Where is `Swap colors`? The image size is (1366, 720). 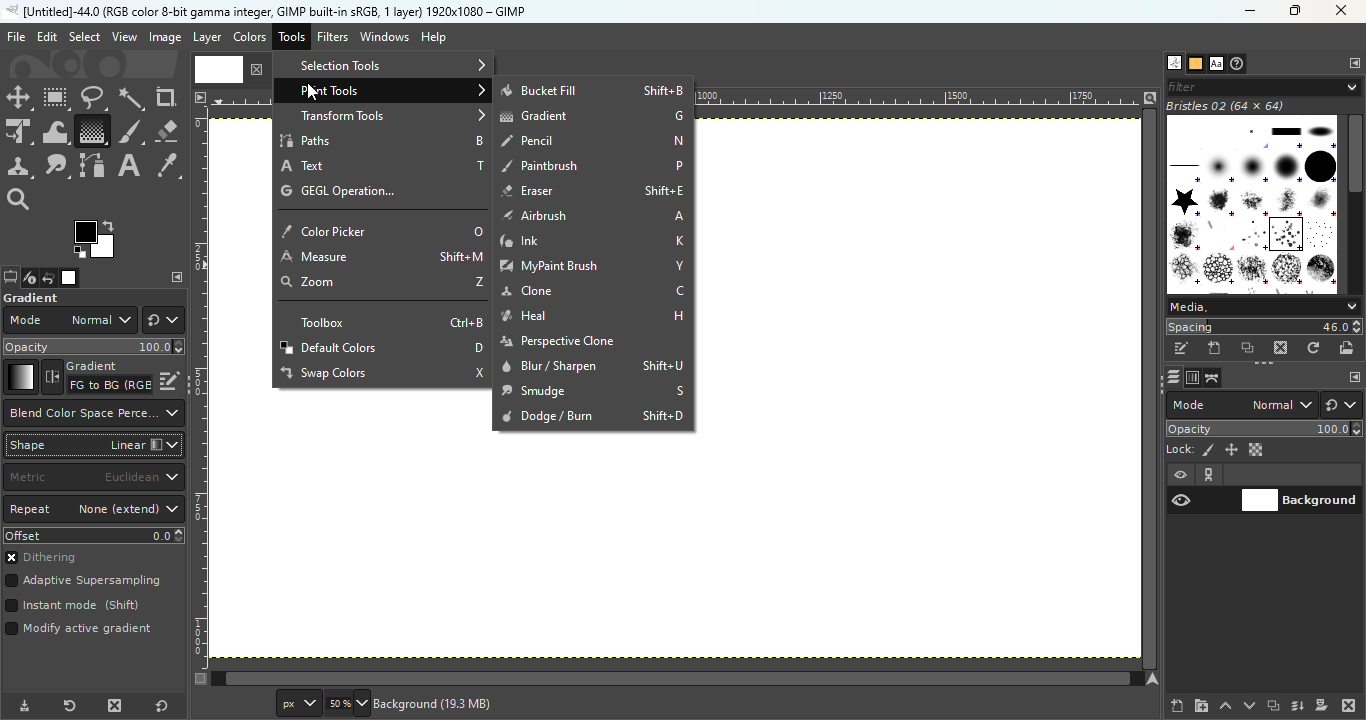 Swap colors is located at coordinates (380, 374).